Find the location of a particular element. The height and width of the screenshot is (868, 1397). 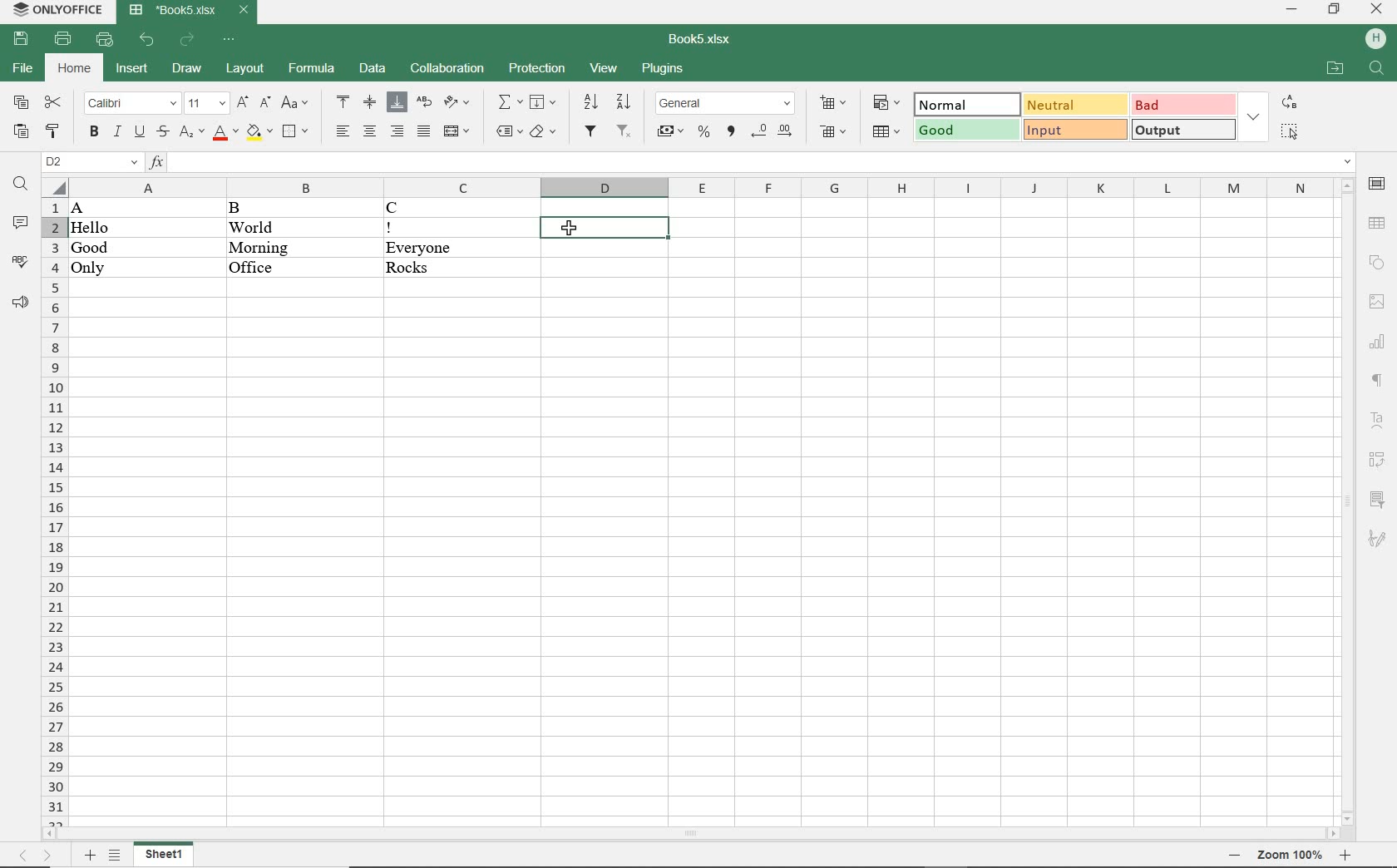

FORMAT AS TABLE TEMPLATE is located at coordinates (886, 131).